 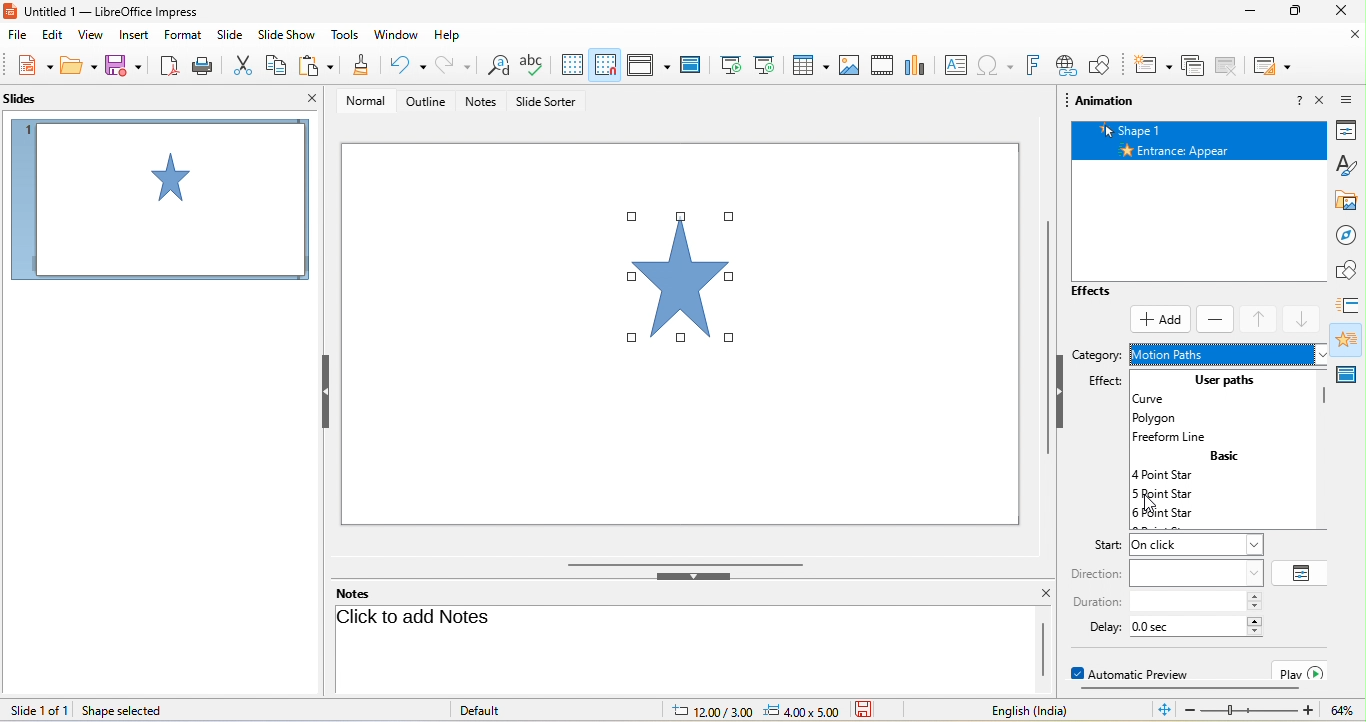 What do you see at coordinates (1203, 129) in the screenshot?
I see `shape 1` at bounding box center [1203, 129].